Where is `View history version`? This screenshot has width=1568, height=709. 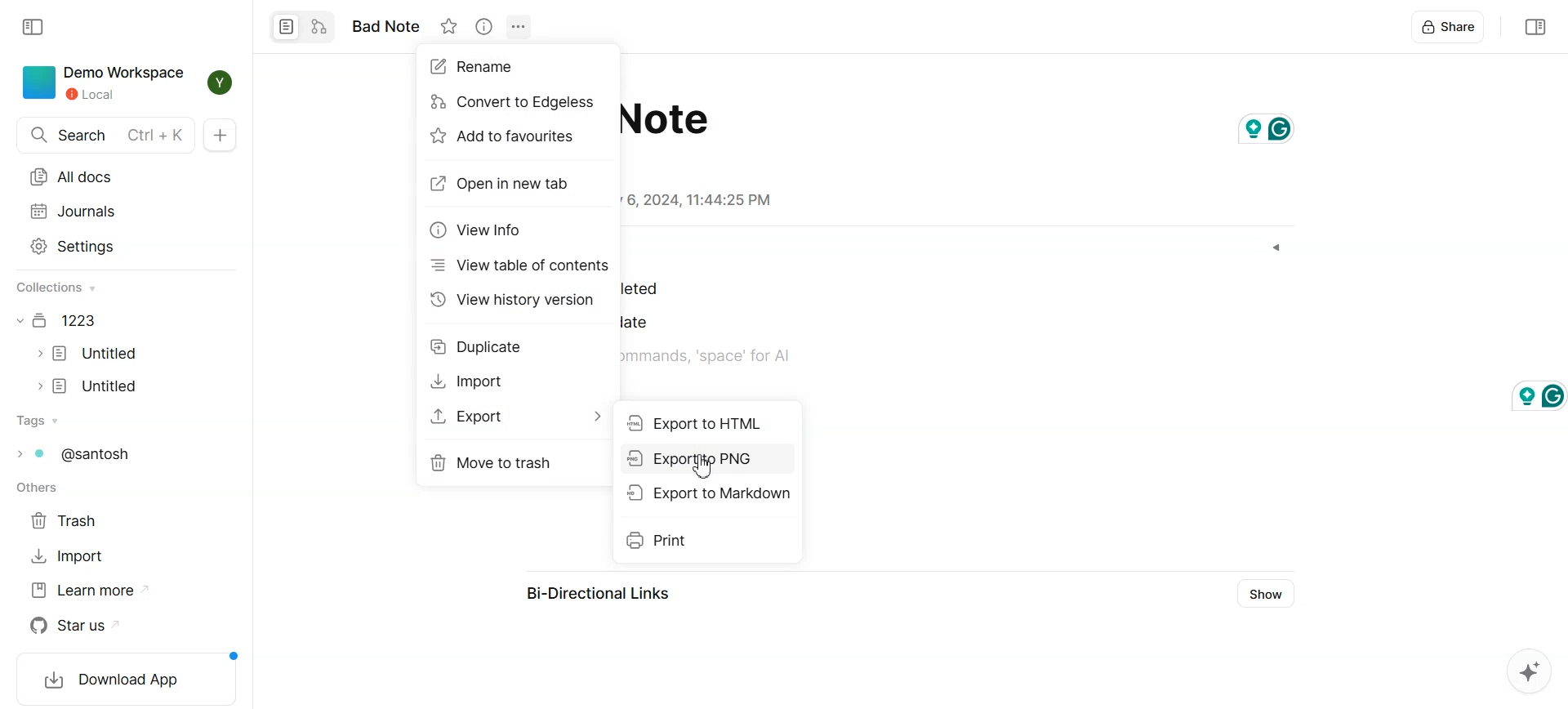 View history version is located at coordinates (515, 300).